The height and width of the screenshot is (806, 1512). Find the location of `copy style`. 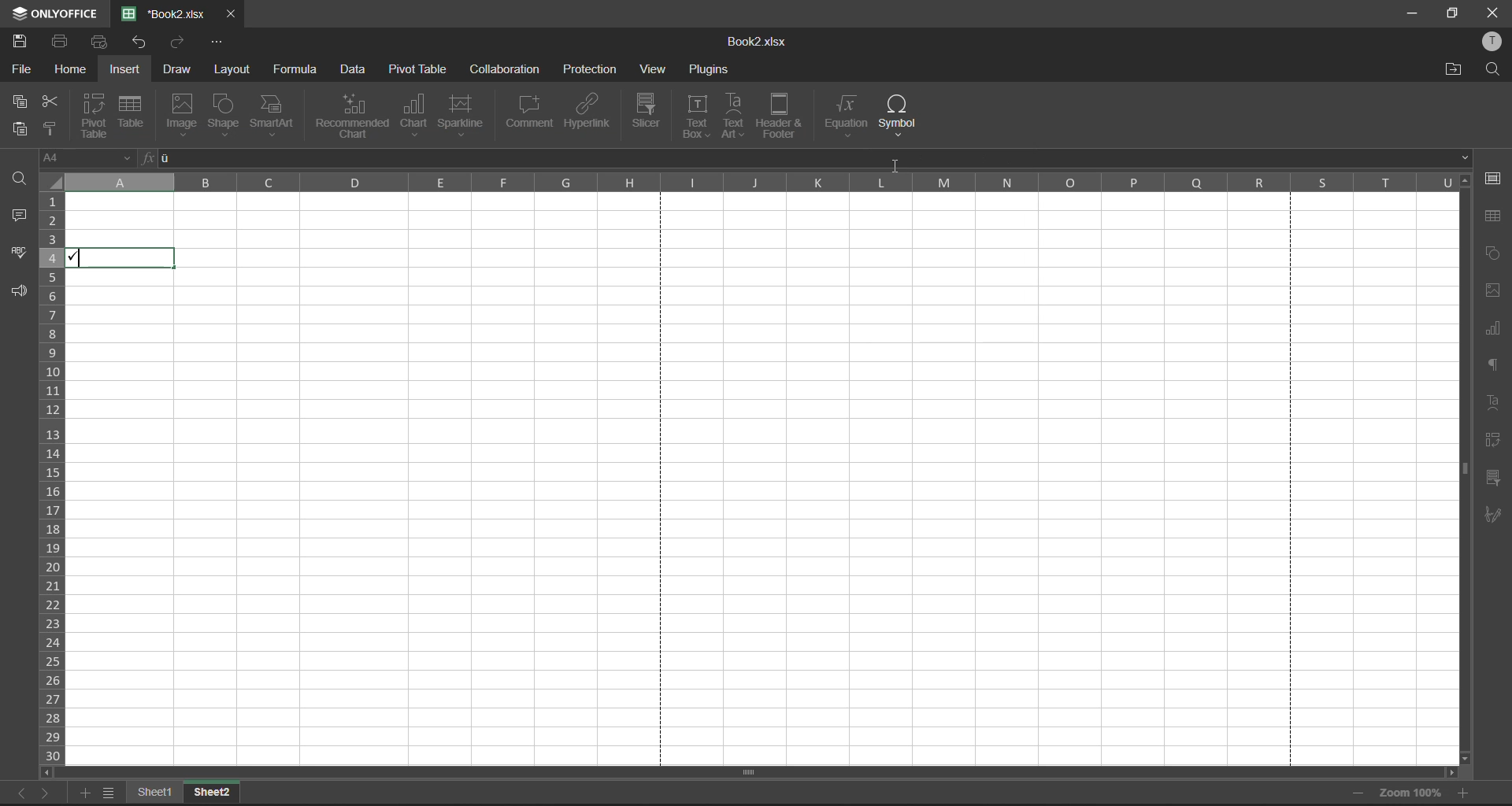

copy style is located at coordinates (50, 130).